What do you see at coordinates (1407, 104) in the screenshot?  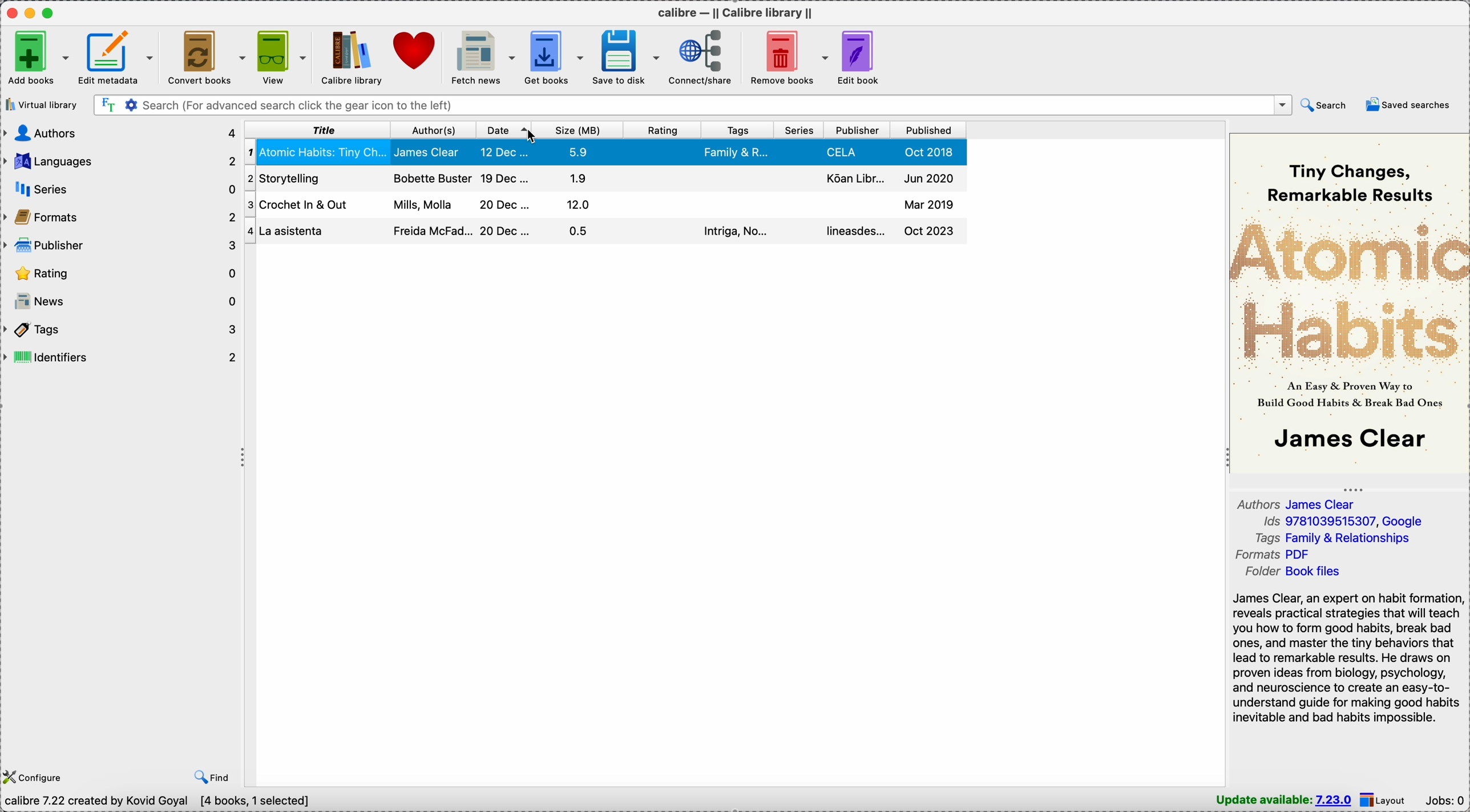 I see `saved searches` at bounding box center [1407, 104].